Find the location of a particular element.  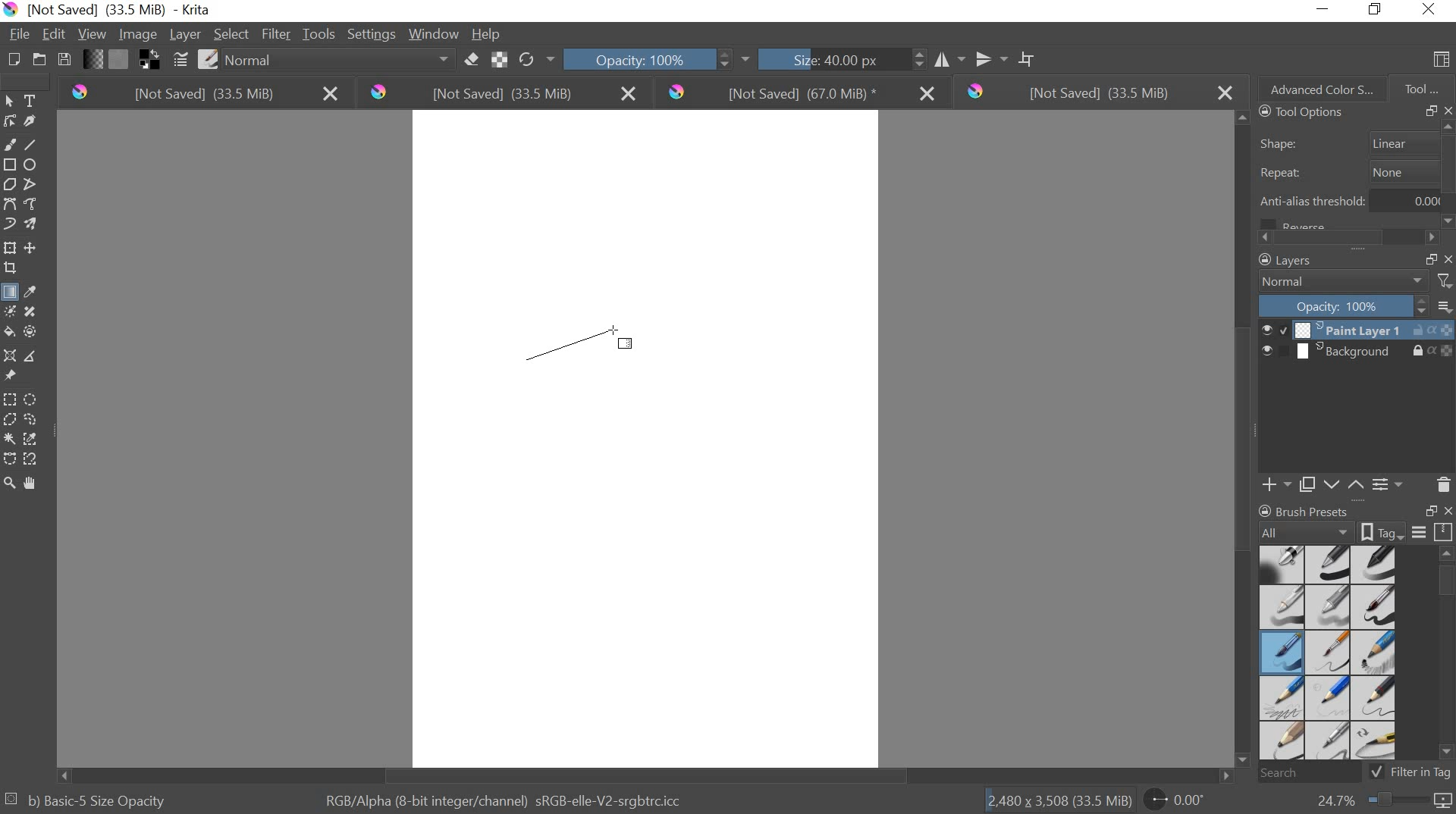

CLOSE is located at coordinates (1447, 111).